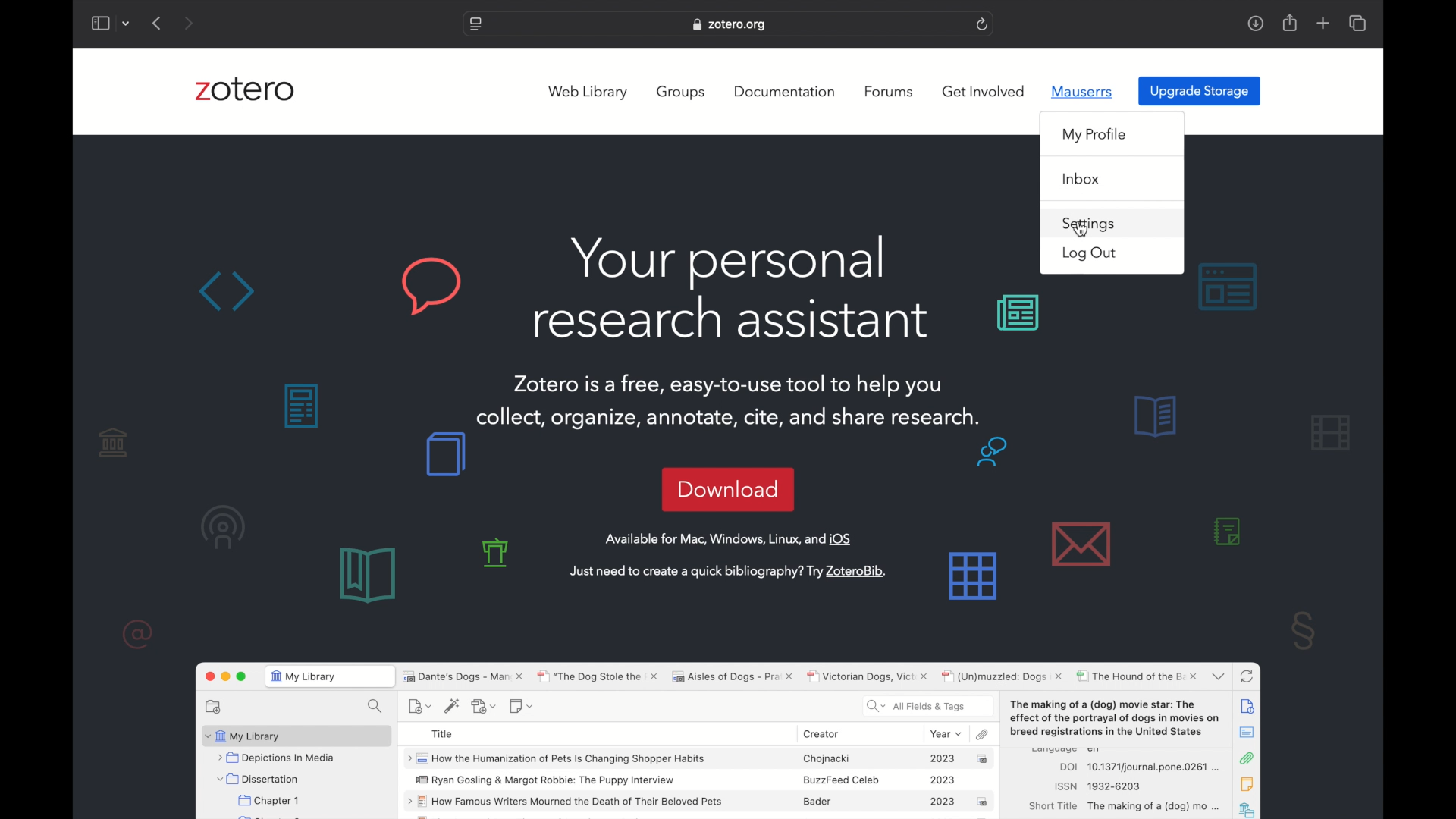  What do you see at coordinates (1095, 135) in the screenshot?
I see `my profile` at bounding box center [1095, 135].